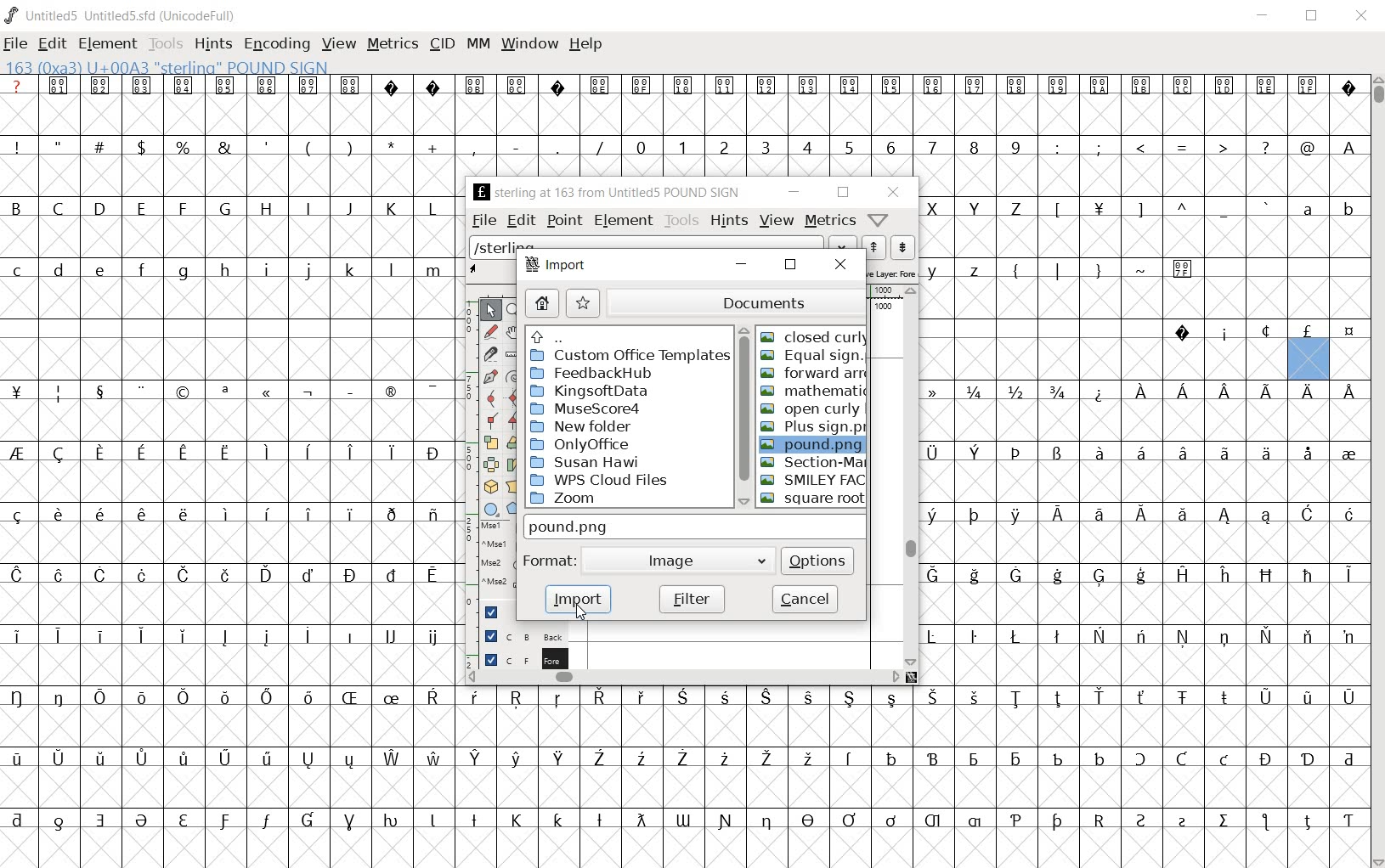 The height and width of the screenshot is (868, 1385). I want to click on logo, so click(12, 14).